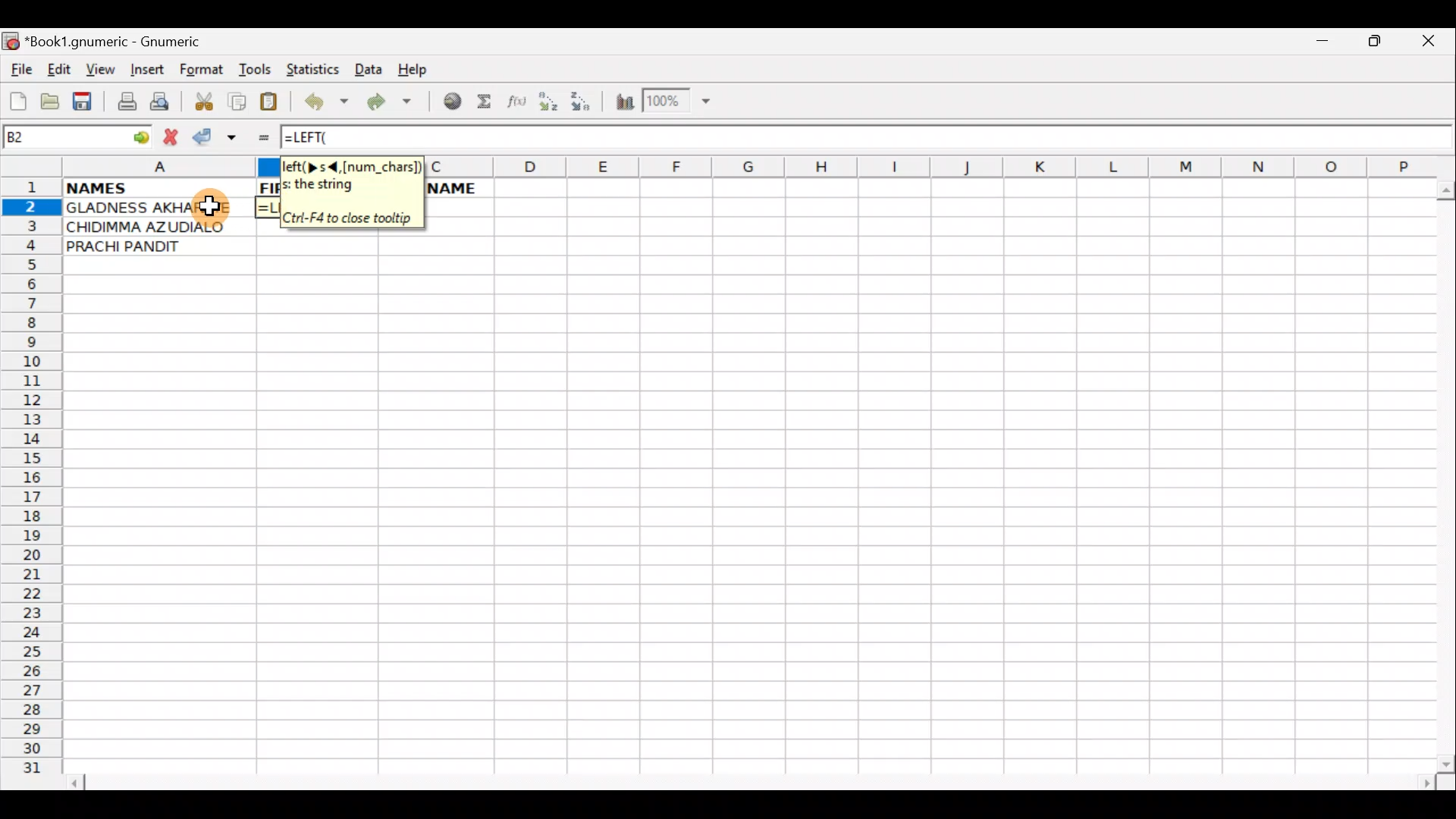  I want to click on =LEFT(, so click(319, 137).